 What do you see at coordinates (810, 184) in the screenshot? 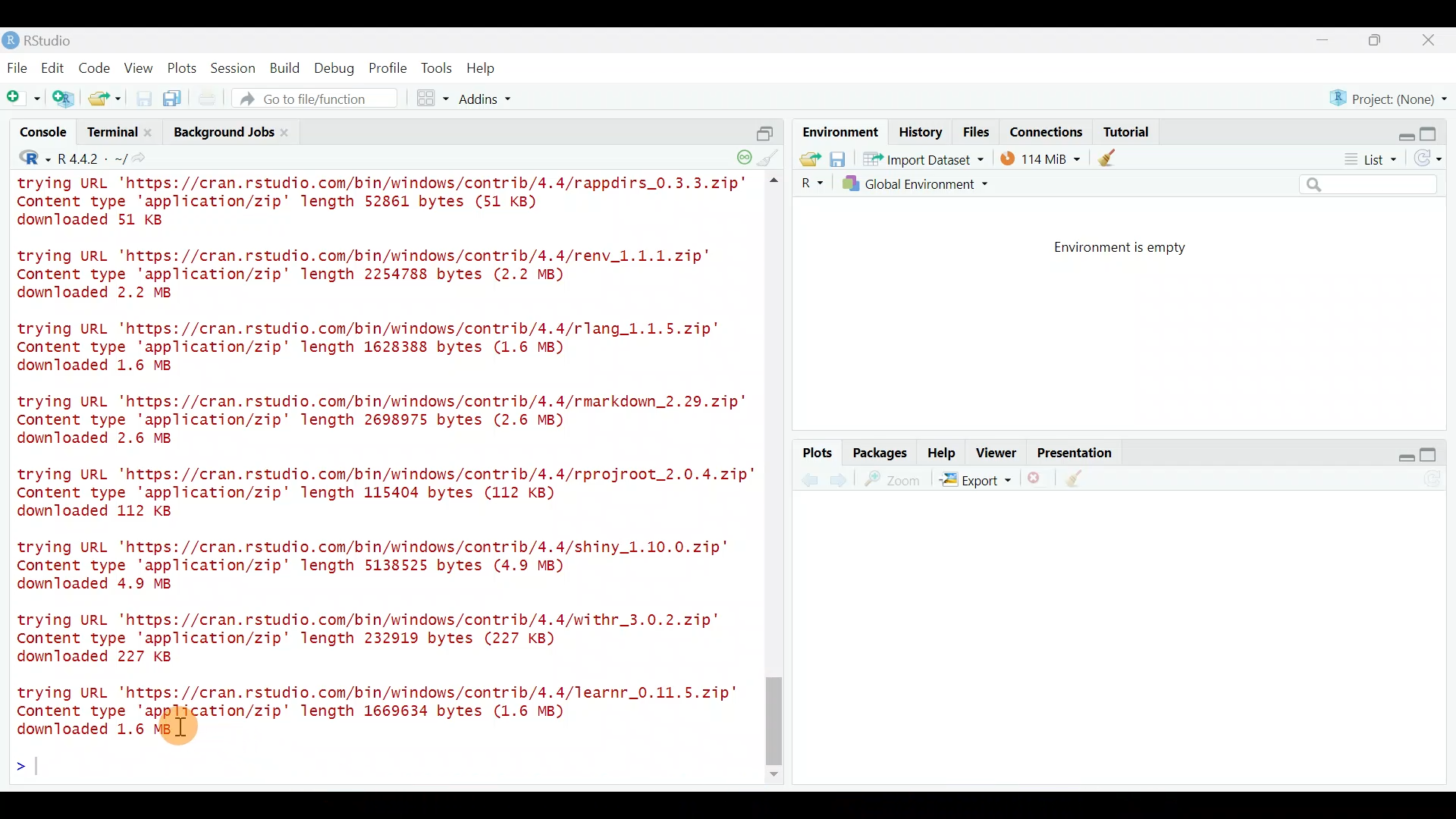
I see `R` at bounding box center [810, 184].